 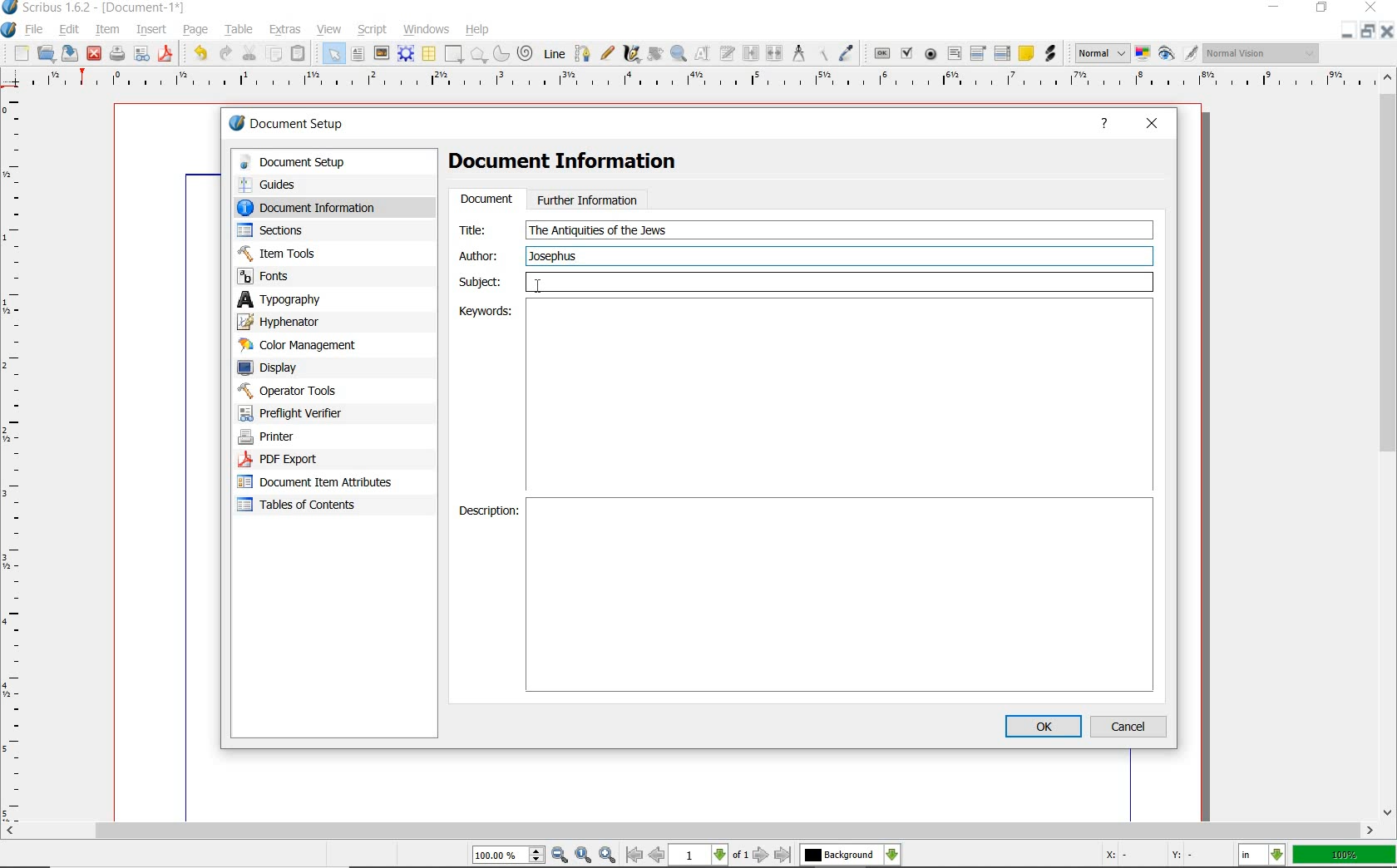 I want to click on further information, so click(x=588, y=199).